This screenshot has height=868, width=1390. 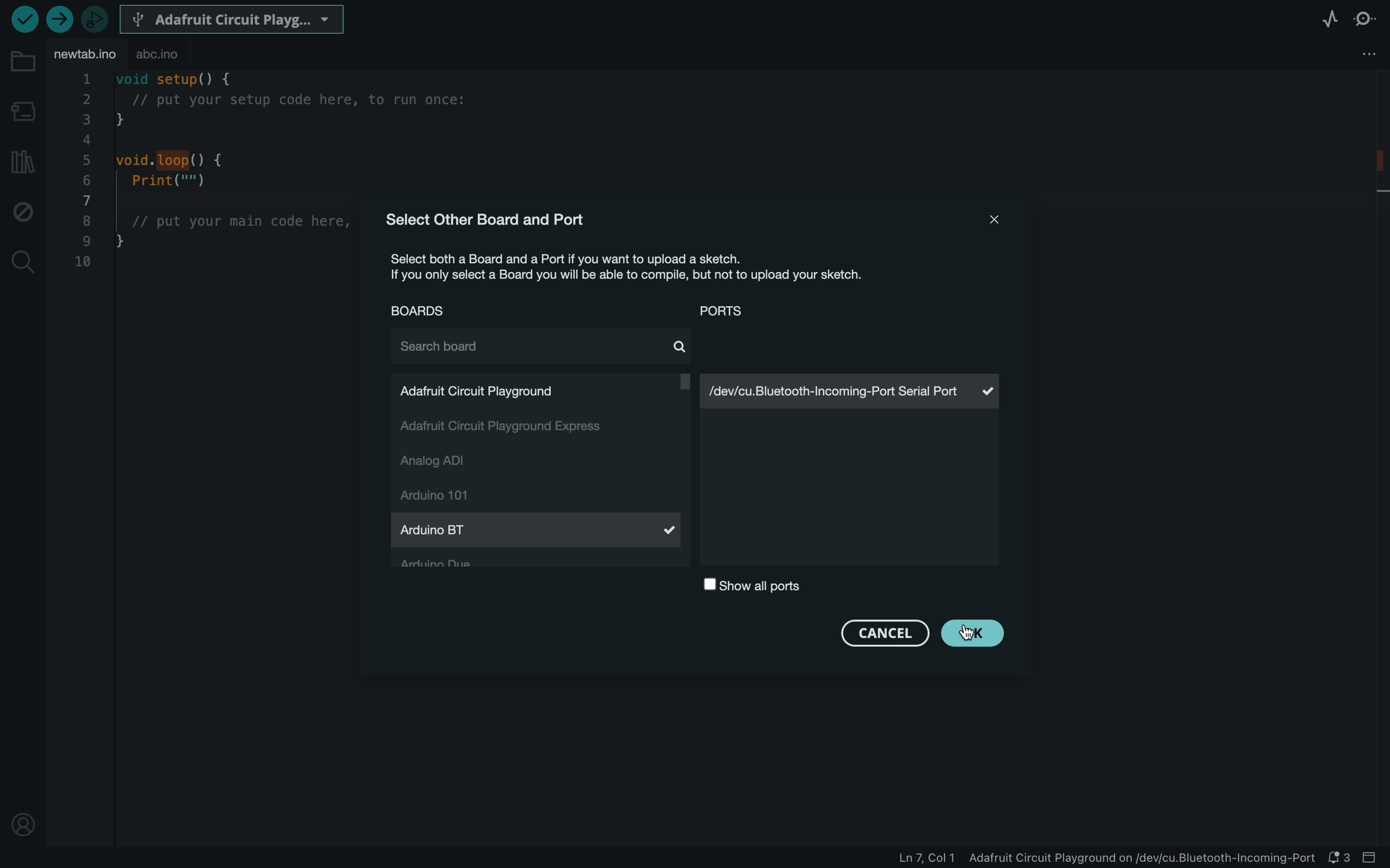 I want to click on arduino 101, so click(x=443, y=494).